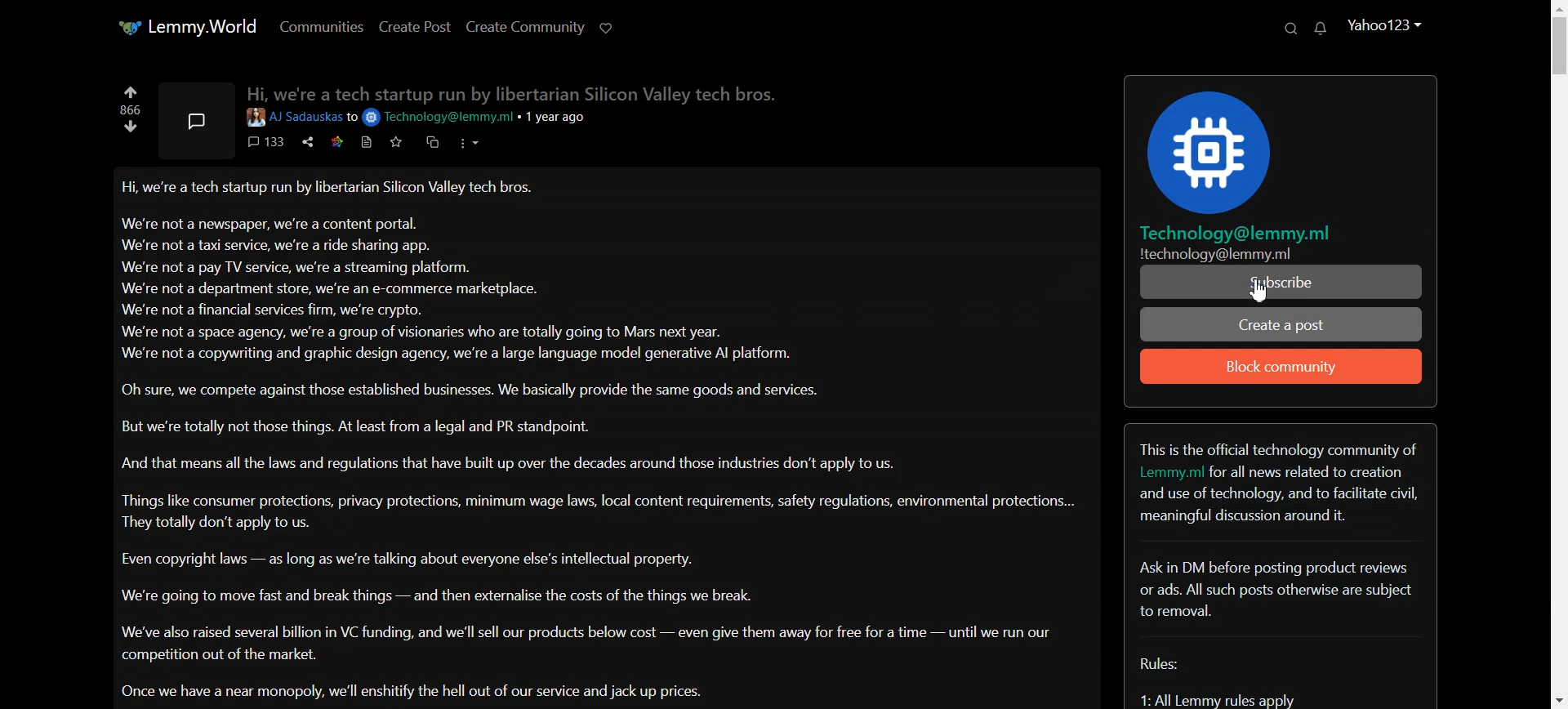  Describe the element at coordinates (1239, 680) in the screenshot. I see `Rules:
1: All Lemmy rules apply` at that location.